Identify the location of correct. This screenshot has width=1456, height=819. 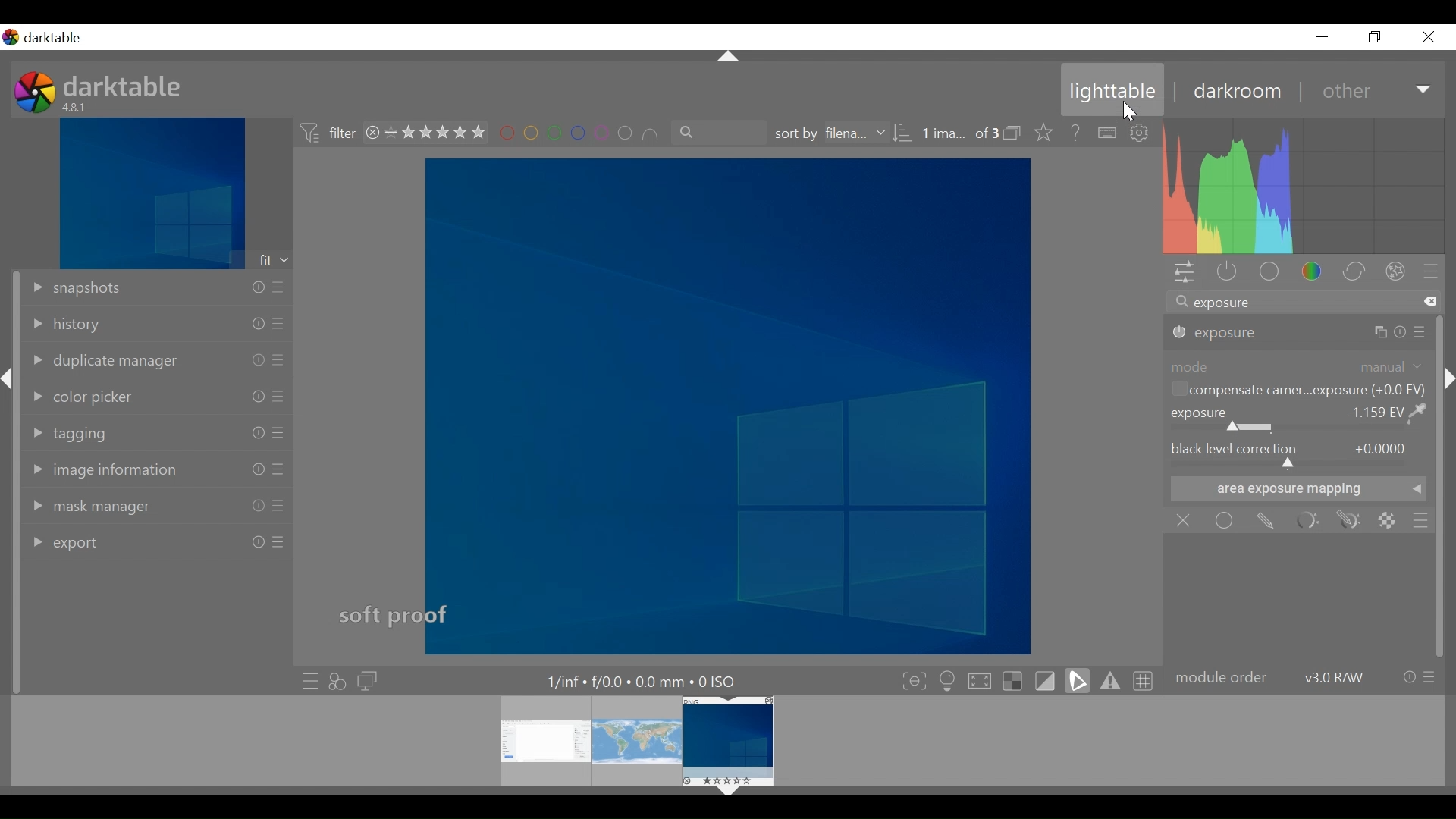
(1354, 271).